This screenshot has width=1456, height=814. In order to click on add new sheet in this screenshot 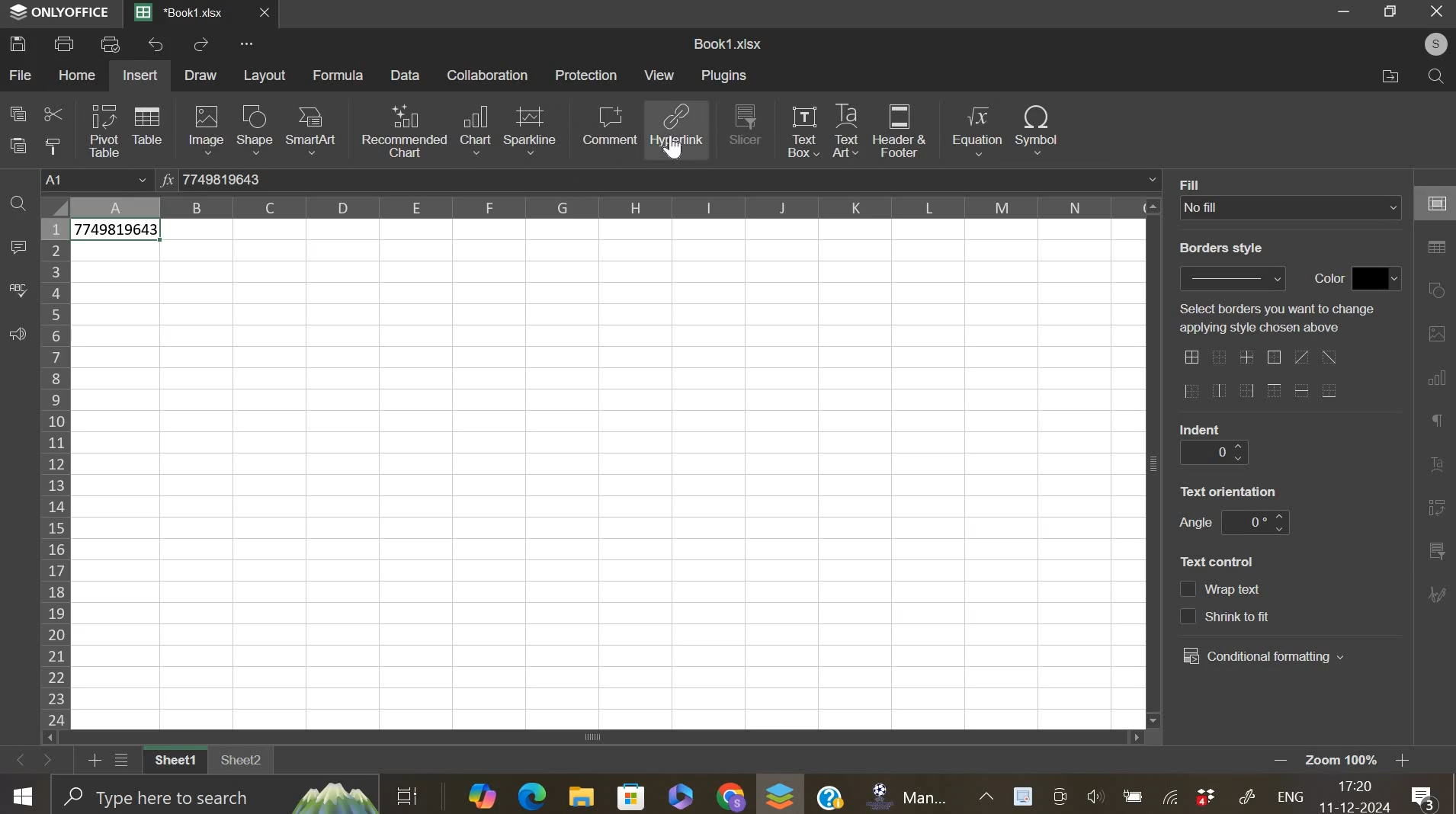, I will do `click(93, 758)`.